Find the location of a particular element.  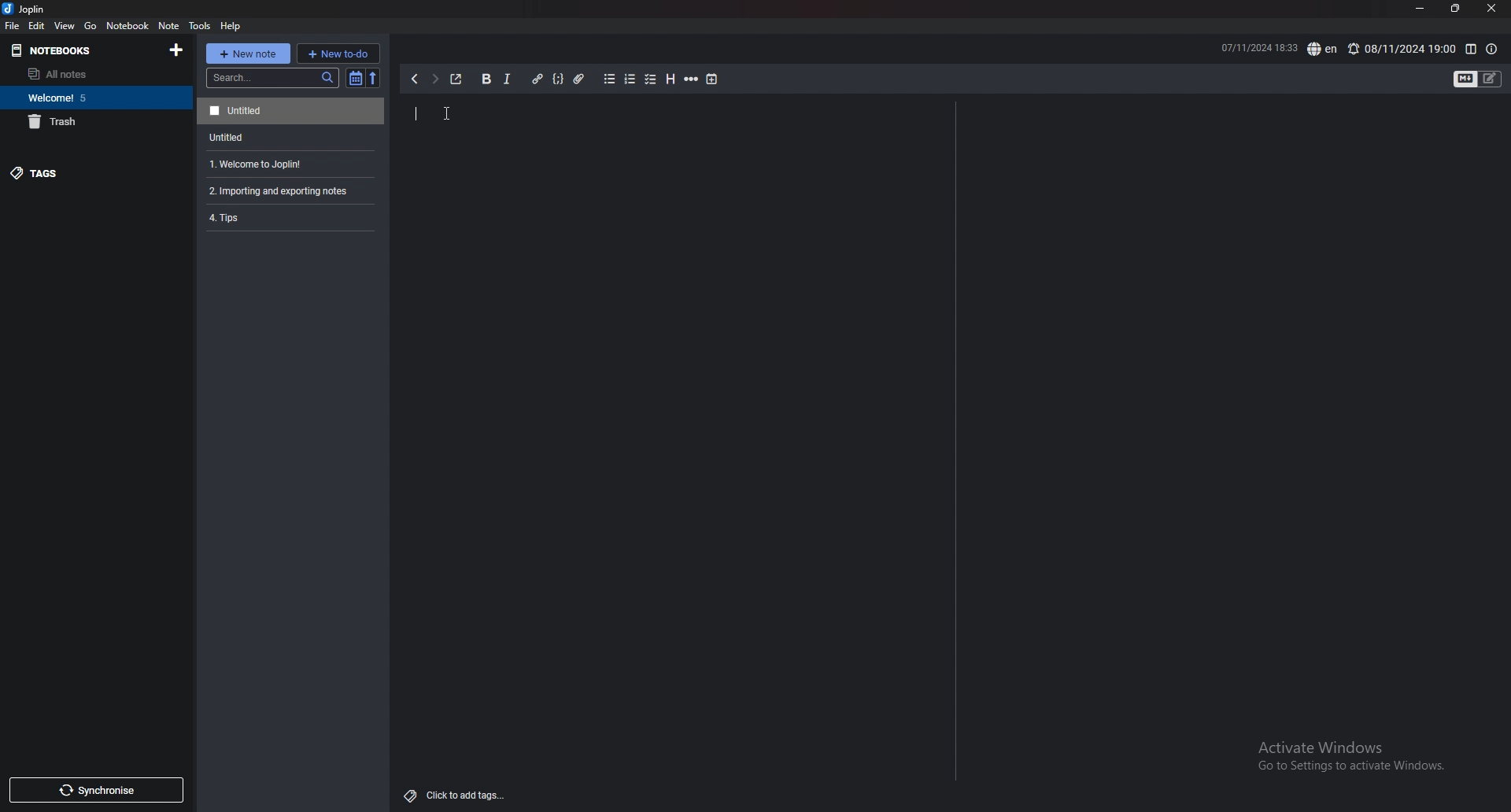

code is located at coordinates (558, 79).